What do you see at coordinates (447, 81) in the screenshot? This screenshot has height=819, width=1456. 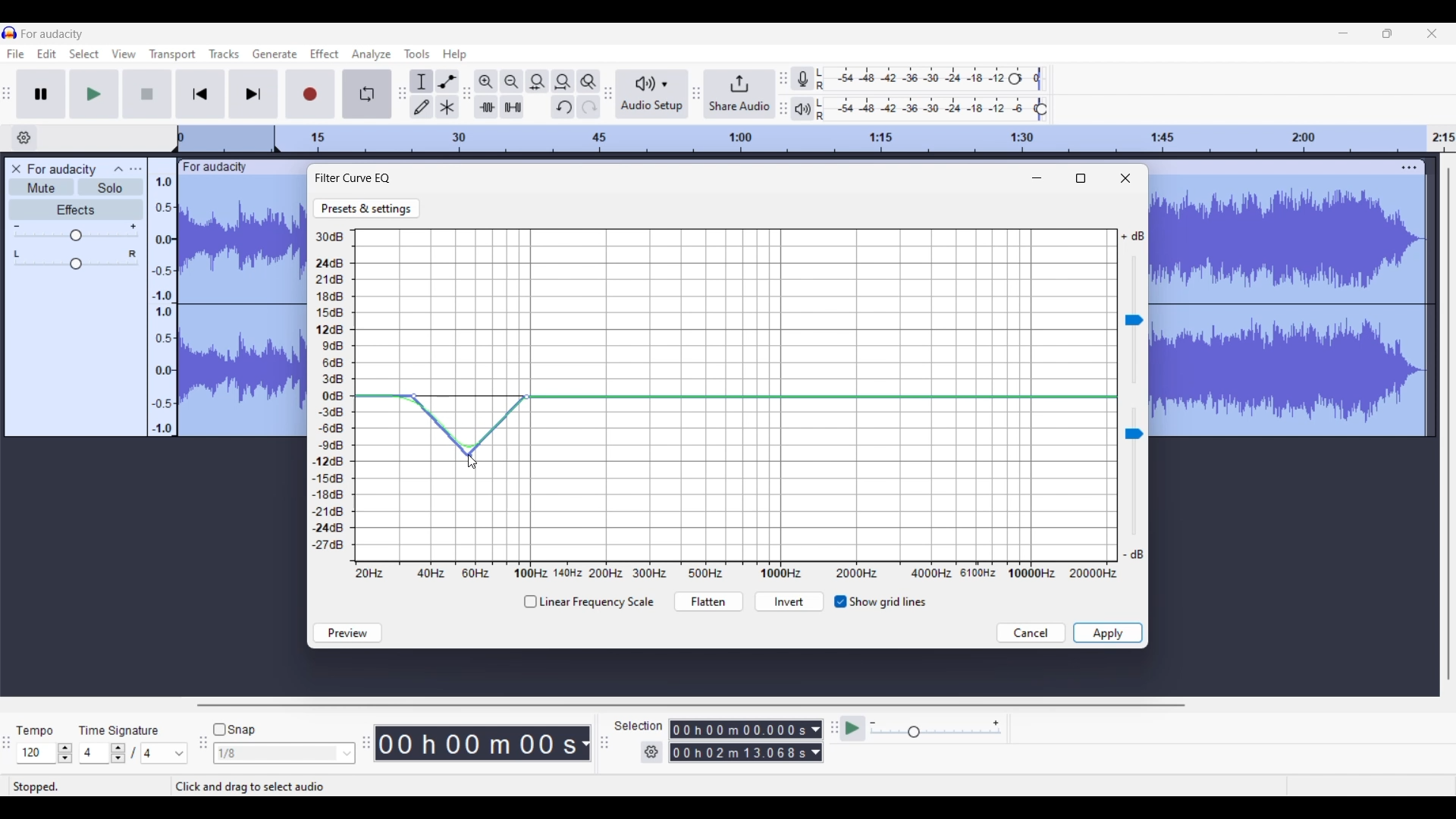 I see `Envelop tool` at bounding box center [447, 81].